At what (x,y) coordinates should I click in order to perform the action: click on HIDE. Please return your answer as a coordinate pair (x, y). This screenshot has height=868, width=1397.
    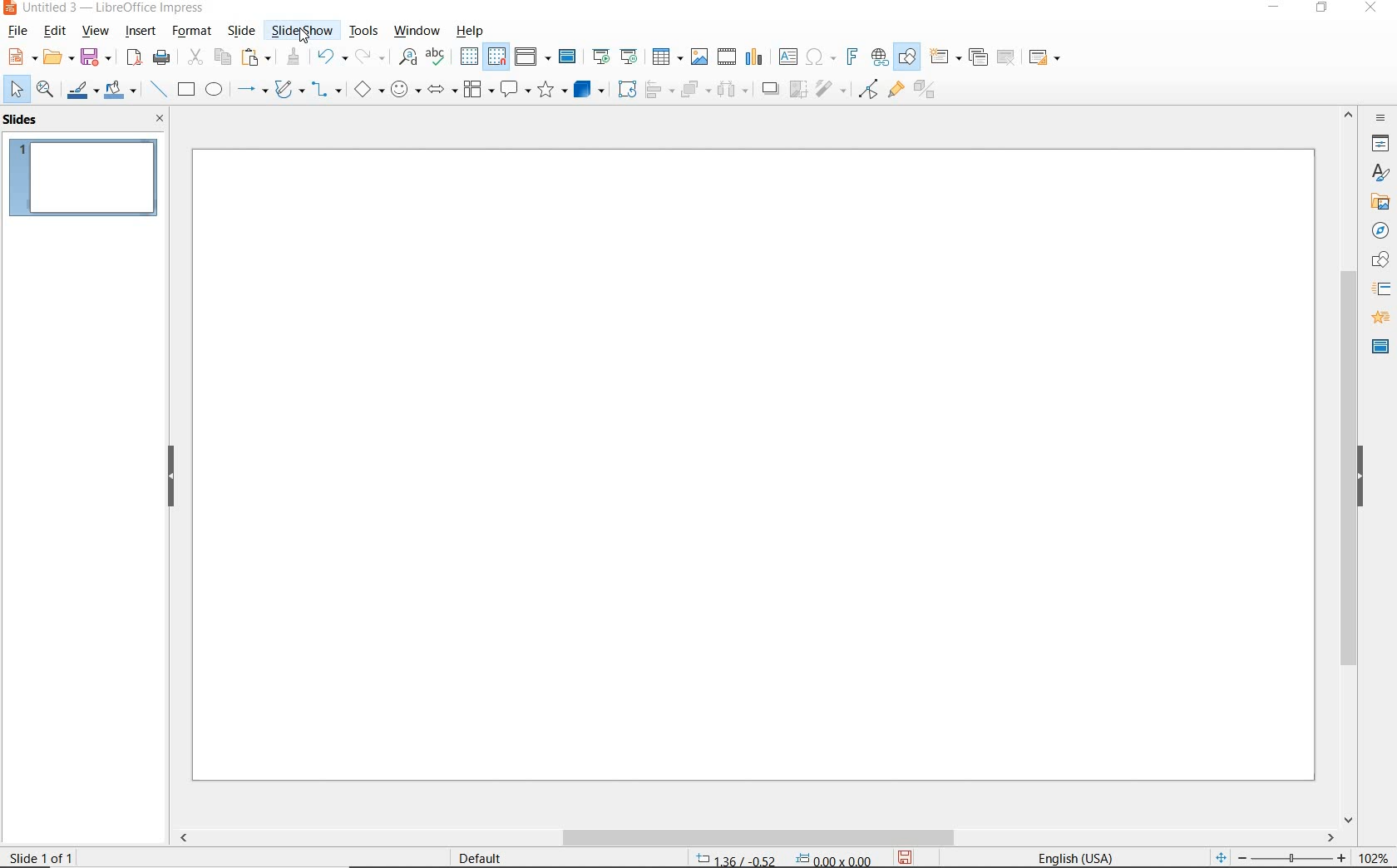
    Looking at the image, I should click on (170, 478).